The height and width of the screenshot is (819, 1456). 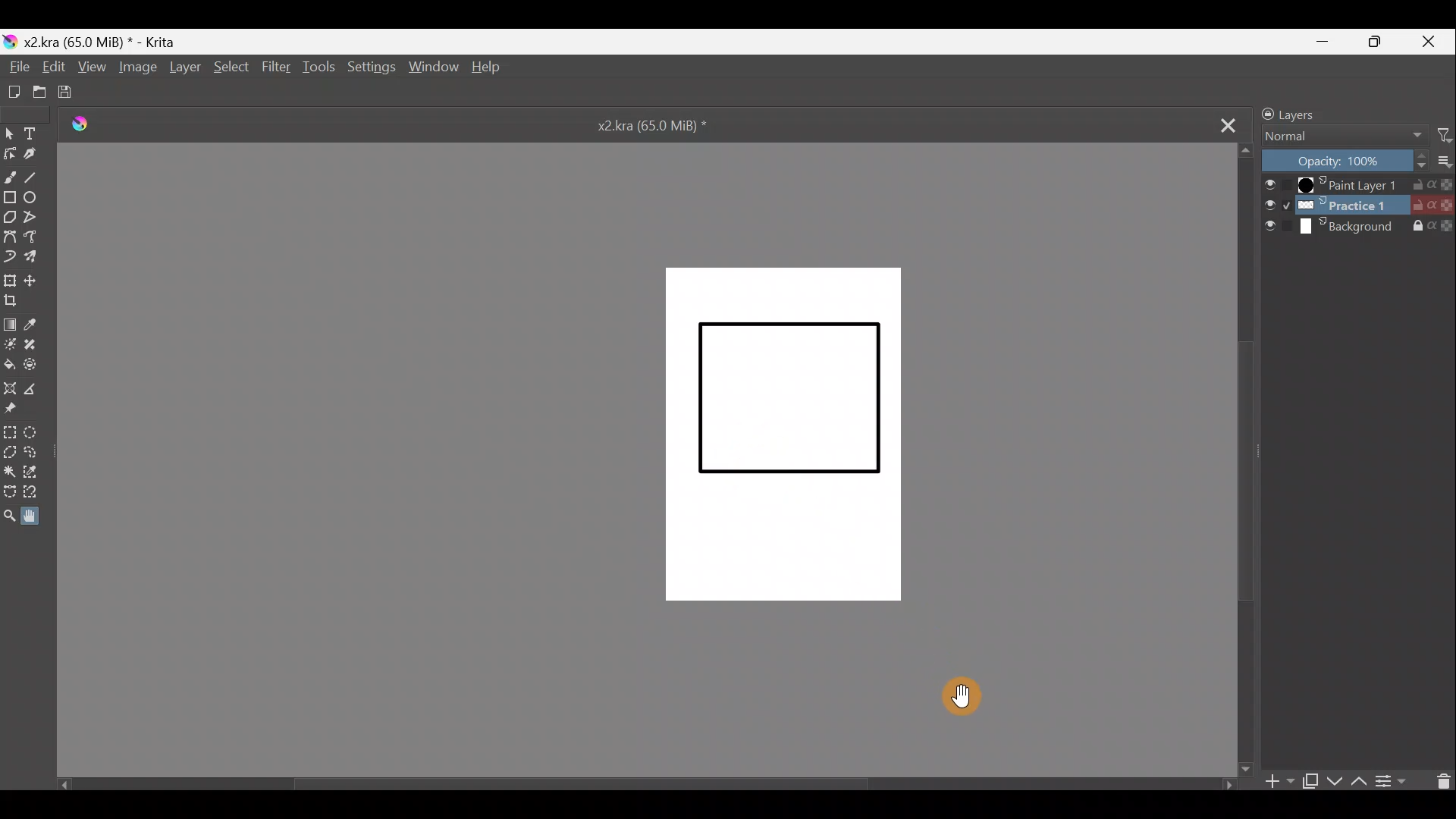 I want to click on Create a new document, so click(x=13, y=92).